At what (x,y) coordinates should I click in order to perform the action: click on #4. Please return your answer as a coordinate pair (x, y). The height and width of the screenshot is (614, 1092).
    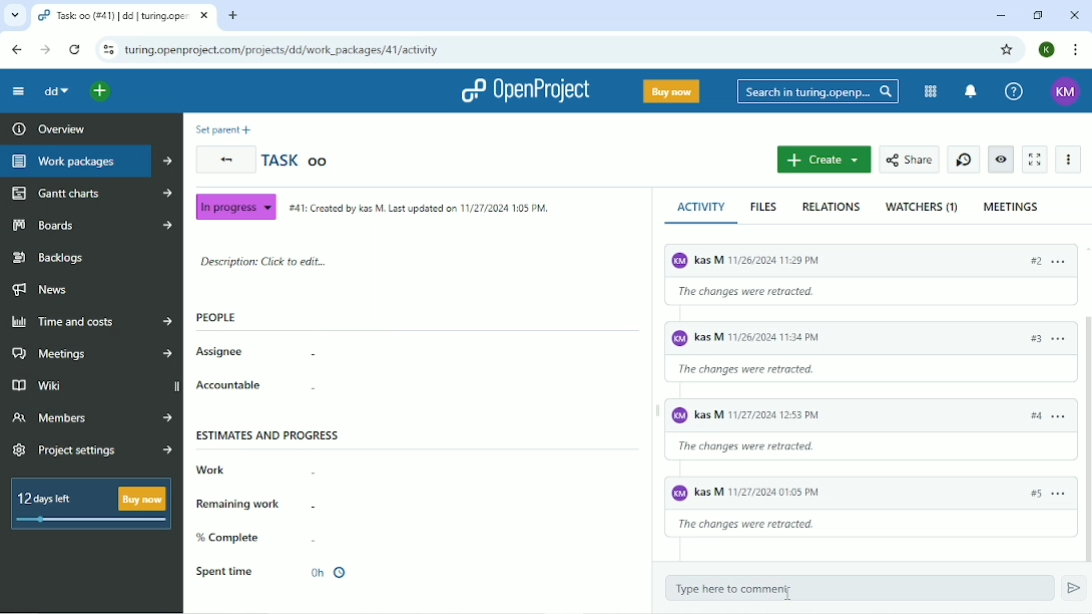
    Looking at the image, I should click on (1035, 416).